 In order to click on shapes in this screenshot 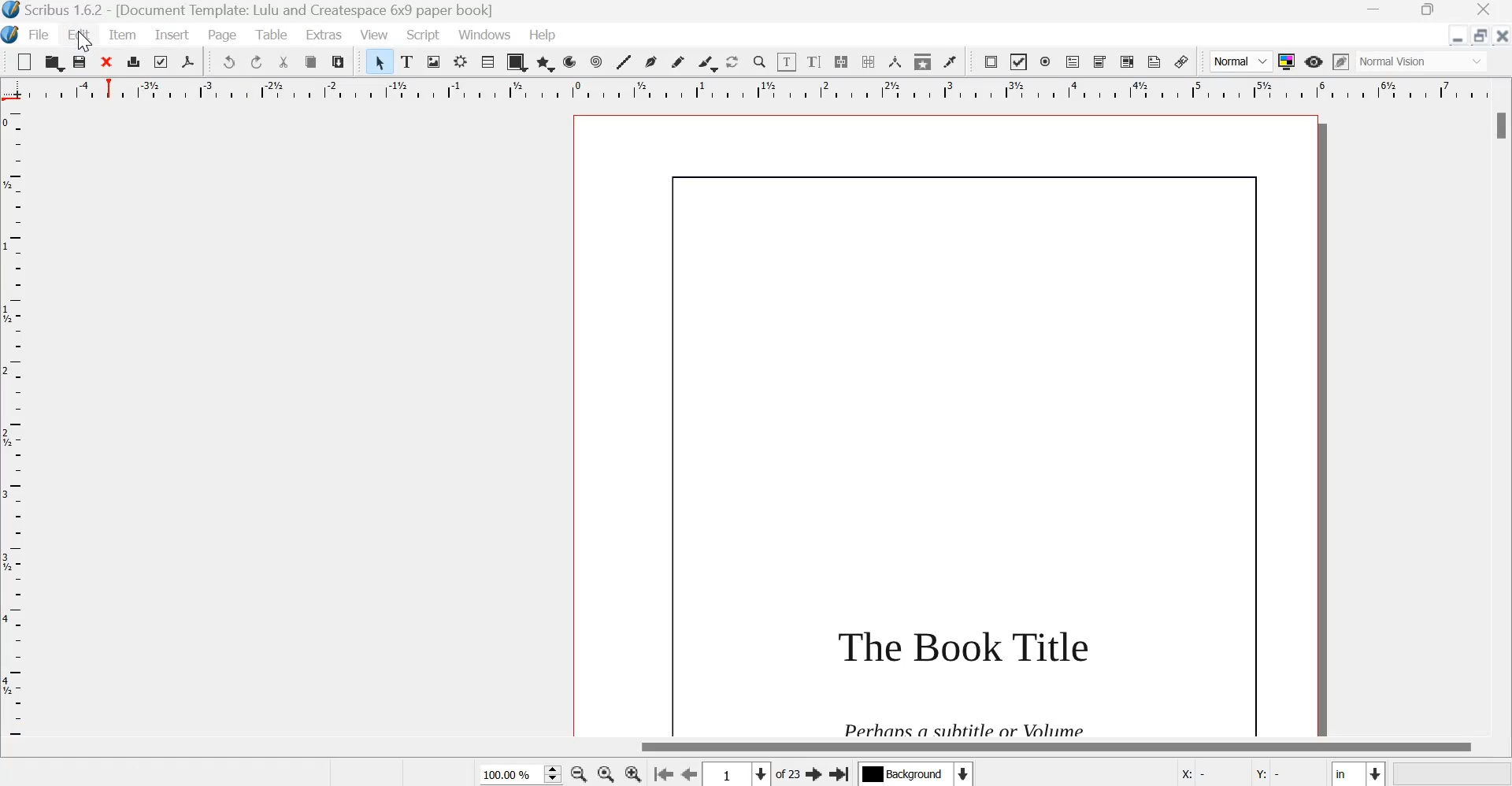, I will do `click(517, 61)`.